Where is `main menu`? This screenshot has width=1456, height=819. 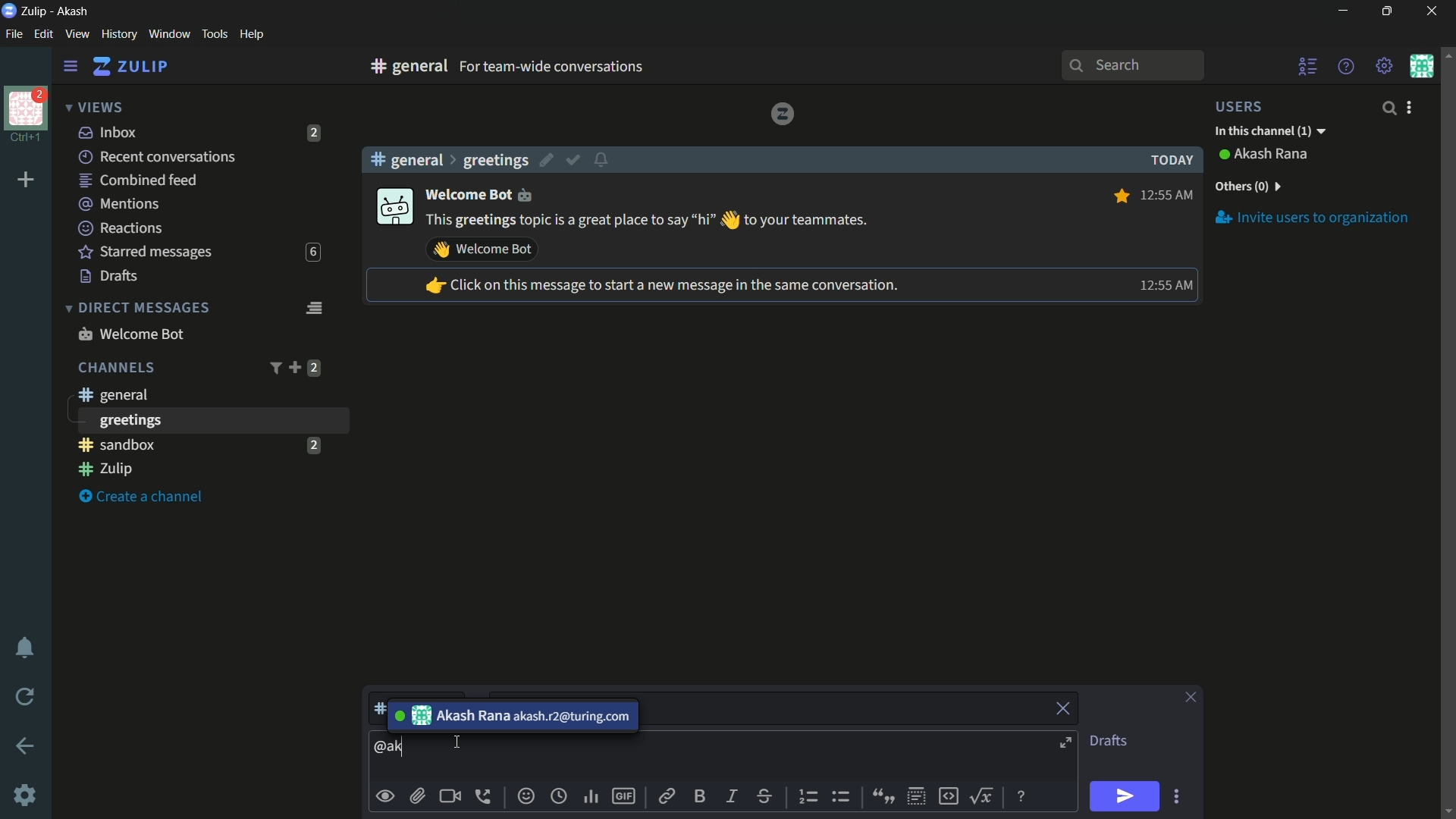 main menu is located at coordinates (1385, 66).